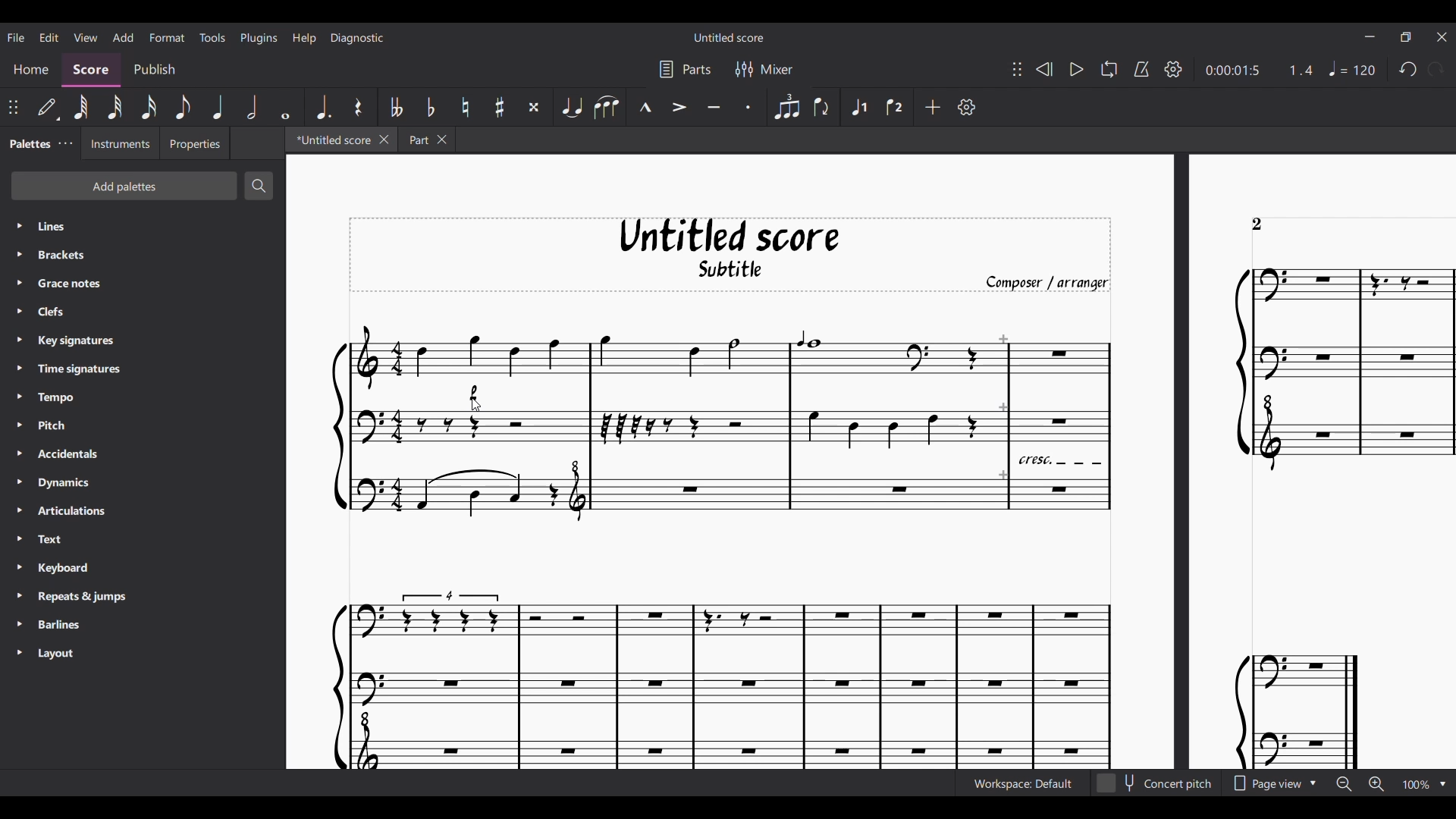 This screenshot has height=819, width=1456. Describe the element at coordinates (1260, 70) in the screenshot. I see `Current duration and ratio` at that location.